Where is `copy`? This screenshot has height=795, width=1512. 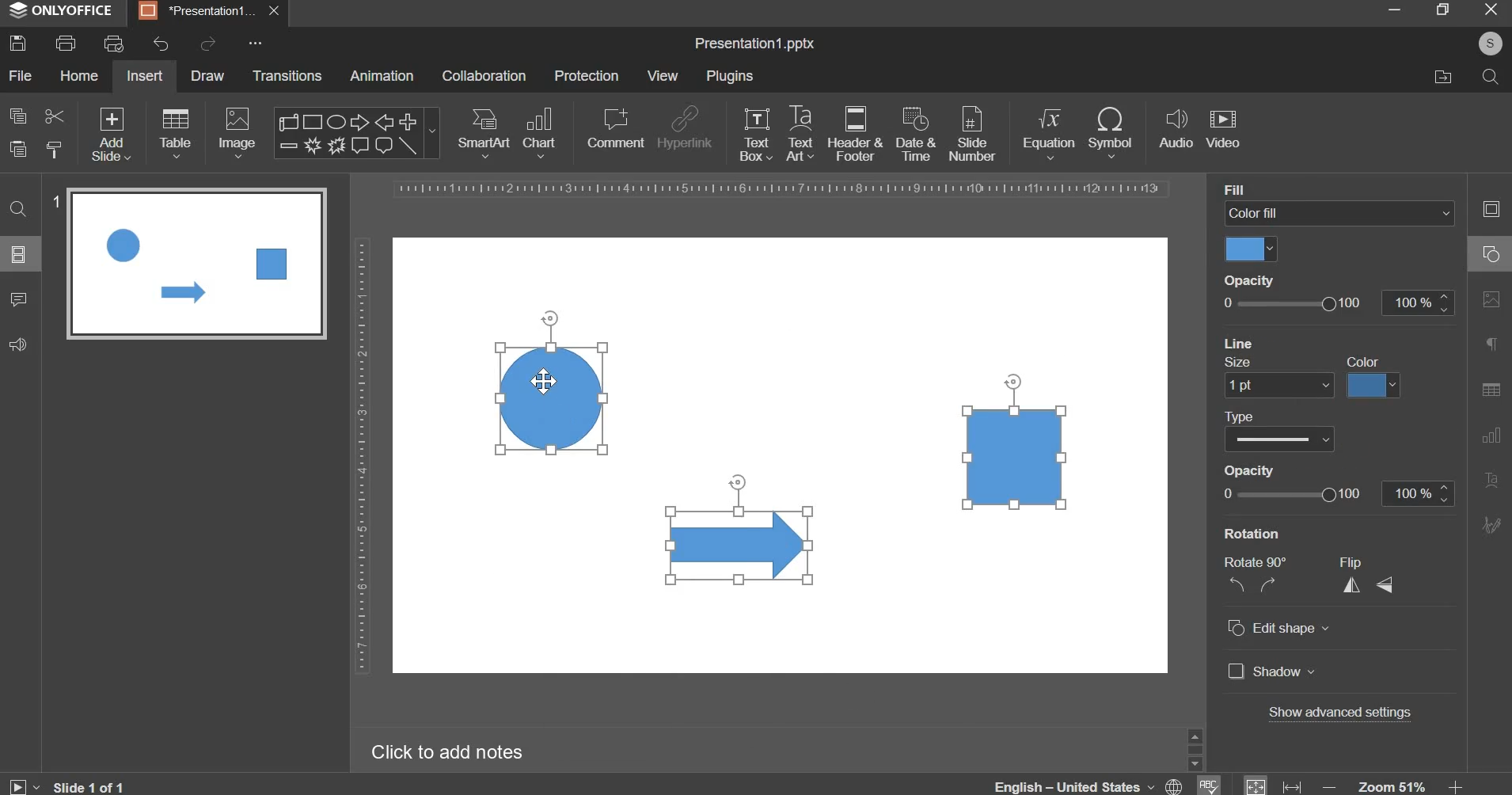 copy is located at coordinates (18, 116).